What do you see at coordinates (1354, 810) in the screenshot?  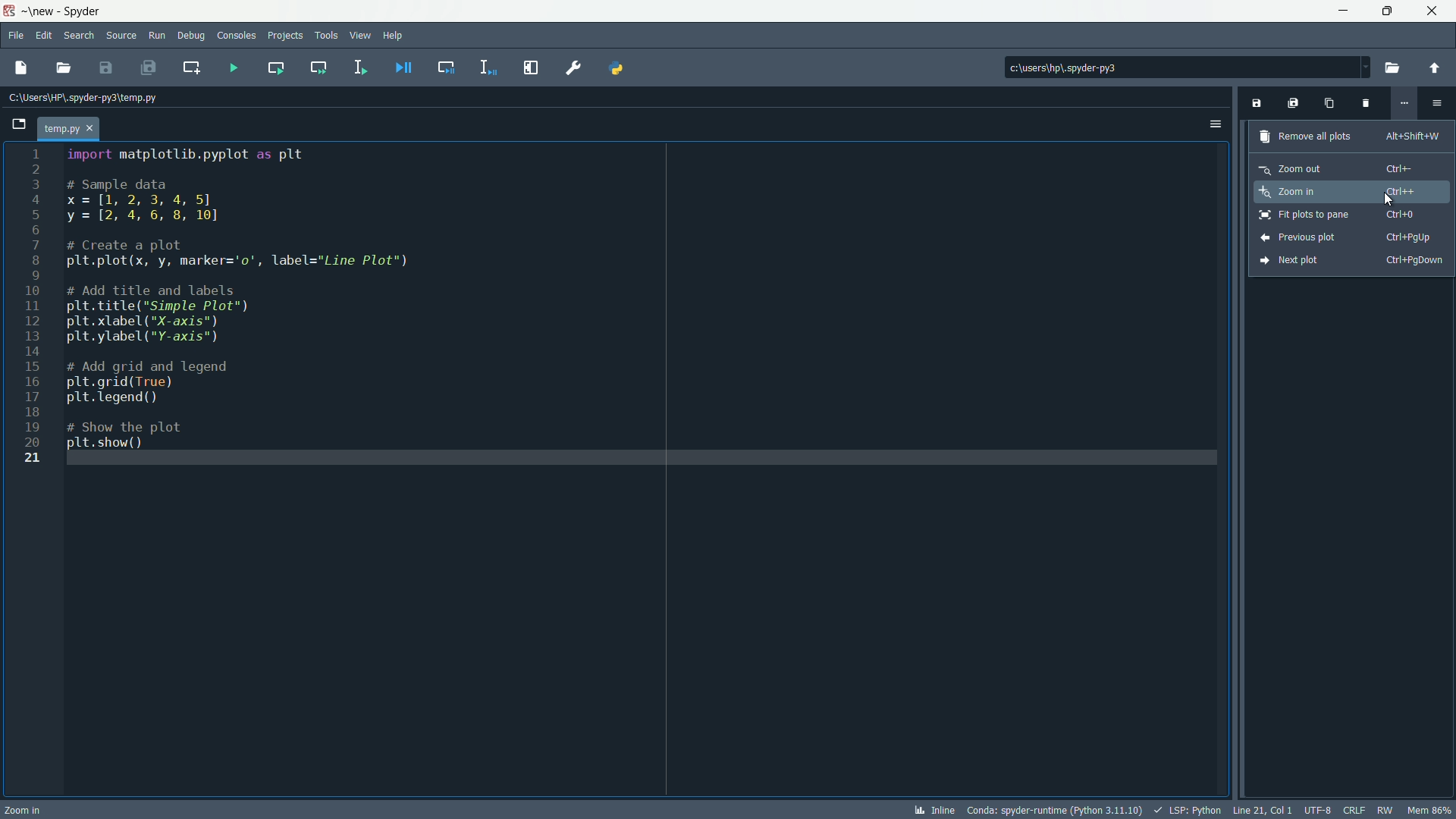 I see `crlf` at bounding box center [1354, 810].